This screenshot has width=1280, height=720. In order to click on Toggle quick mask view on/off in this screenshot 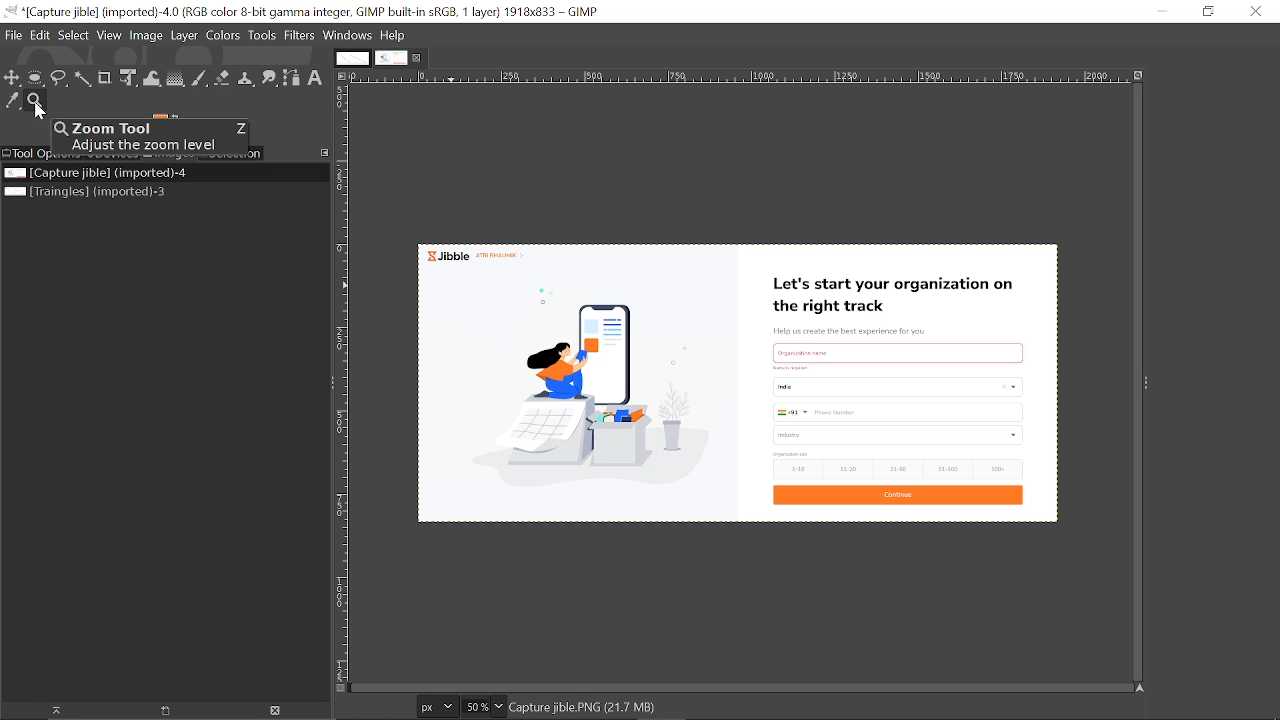, I will do `click(340, 689)`.